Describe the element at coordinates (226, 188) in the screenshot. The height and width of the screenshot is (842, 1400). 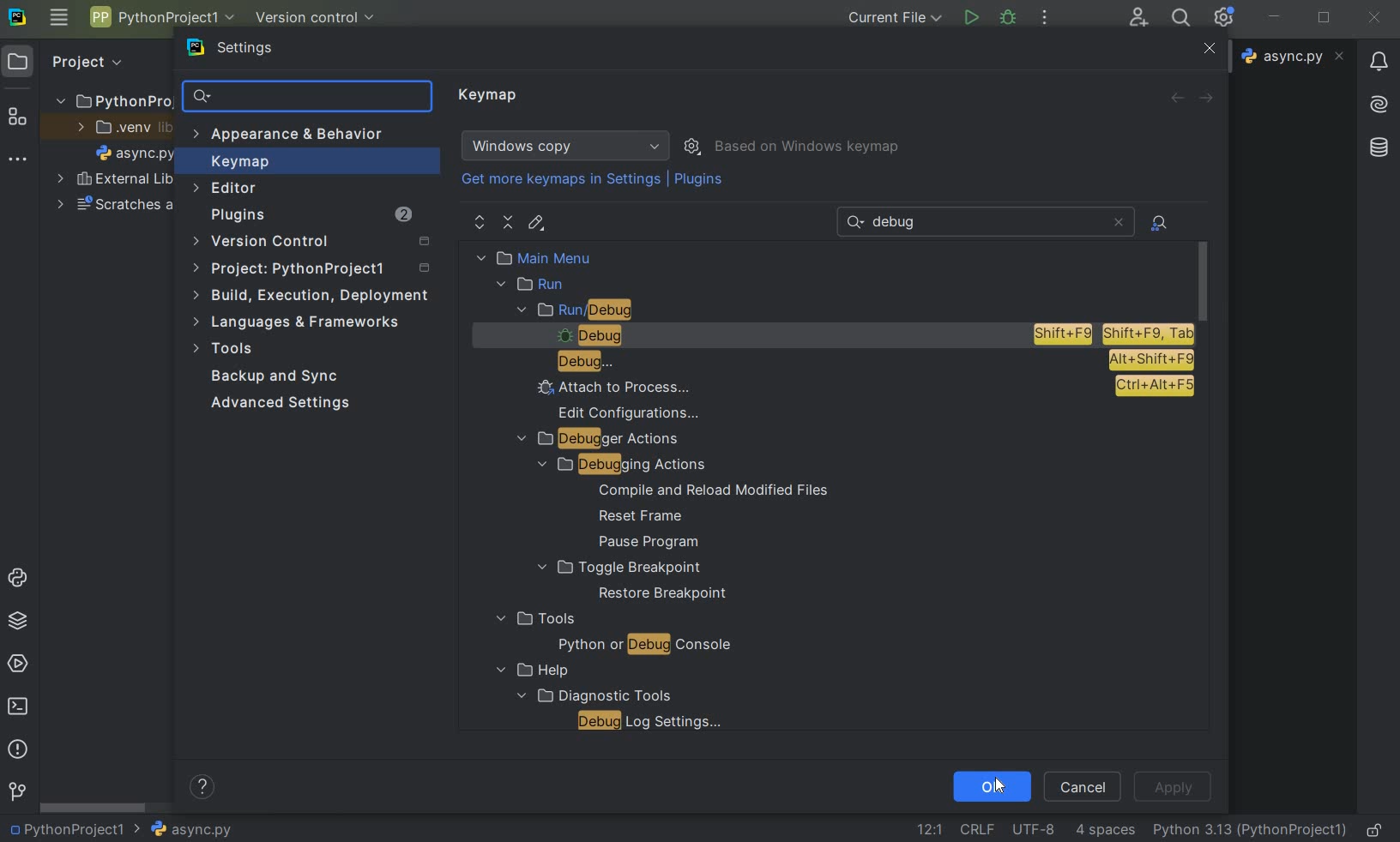
I see `editor` at that location.